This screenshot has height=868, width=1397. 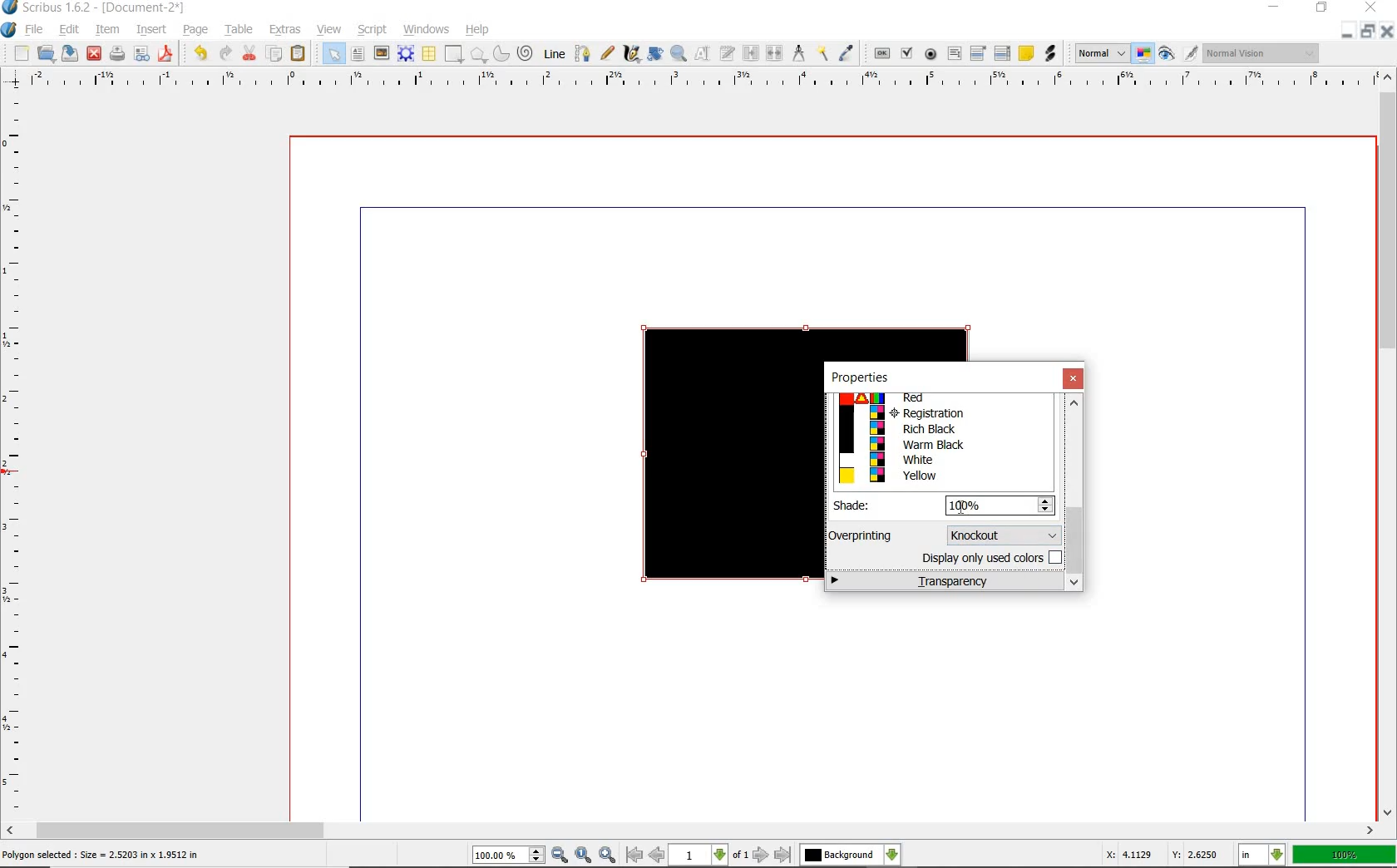 What do you see at coordinates (276, 52) in the screenshot?
I see `copy` at bounding box center [276, 52].